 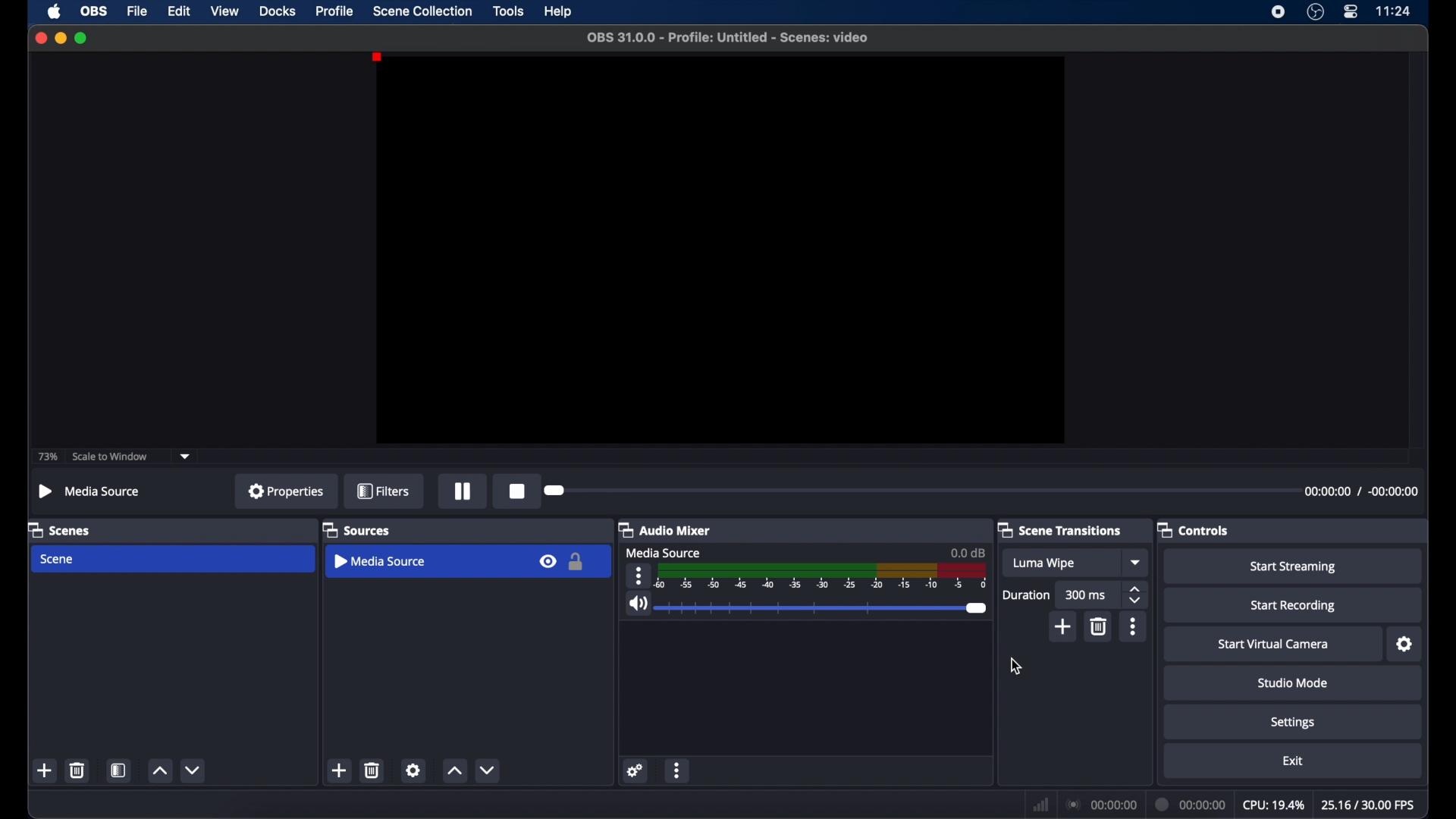 What do you see at coordinates (1100, 805) in the screenshot?
I see `connection` at bounding box center [1100, 805].